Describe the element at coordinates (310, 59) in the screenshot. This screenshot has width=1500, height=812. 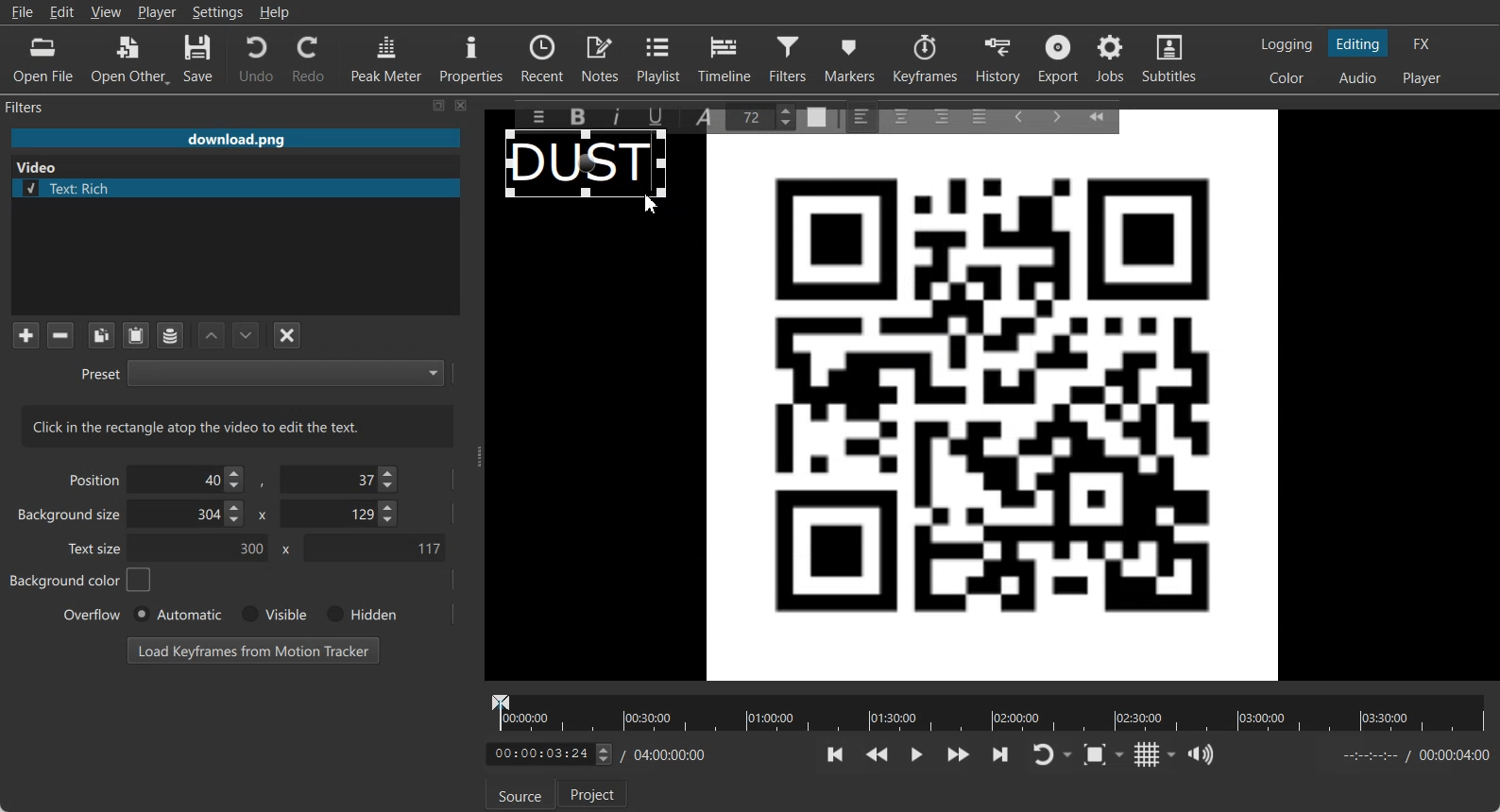
I see `Redo` at that location.